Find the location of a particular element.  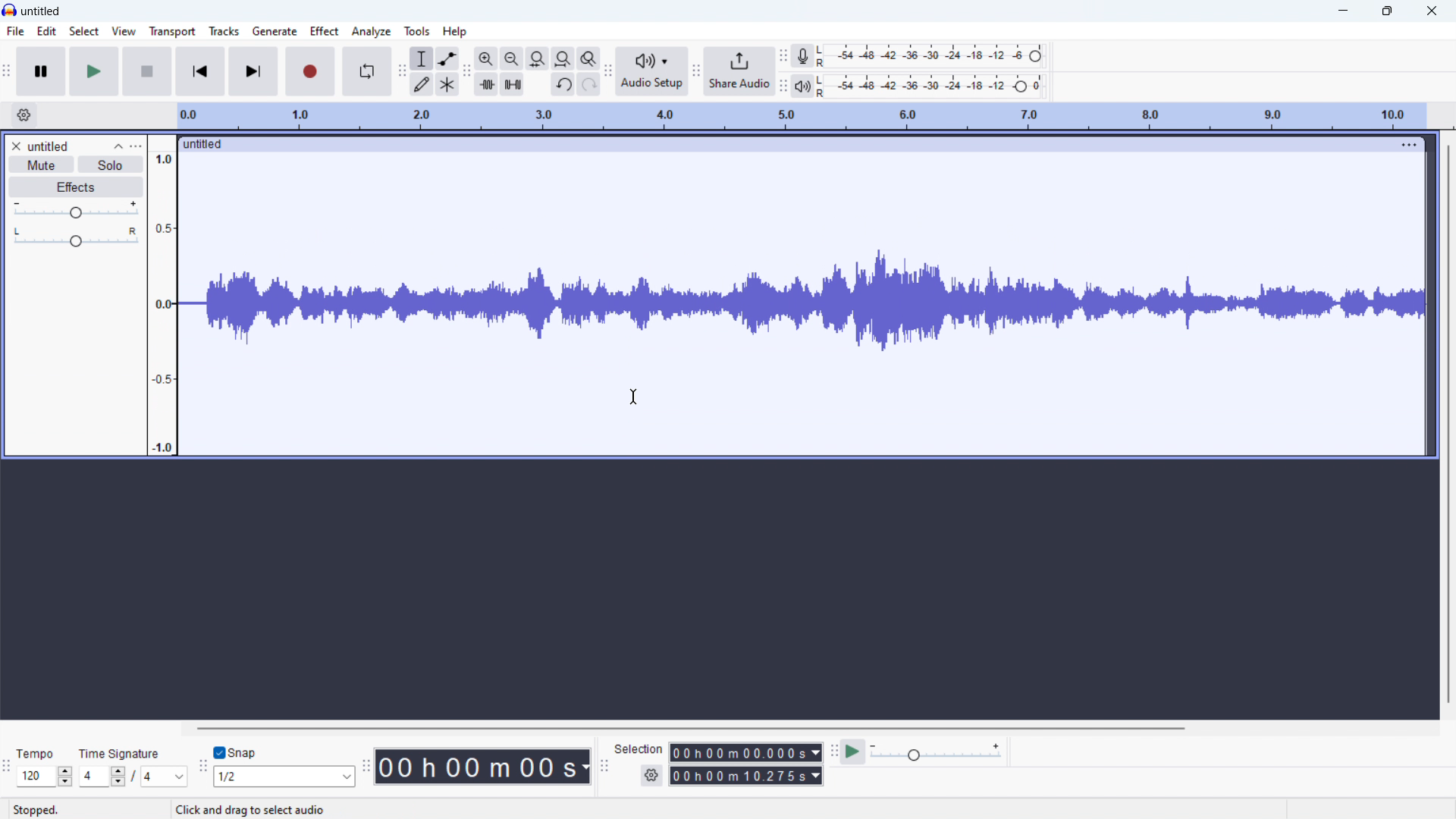

set tempo is located at coordinates (44, 777).